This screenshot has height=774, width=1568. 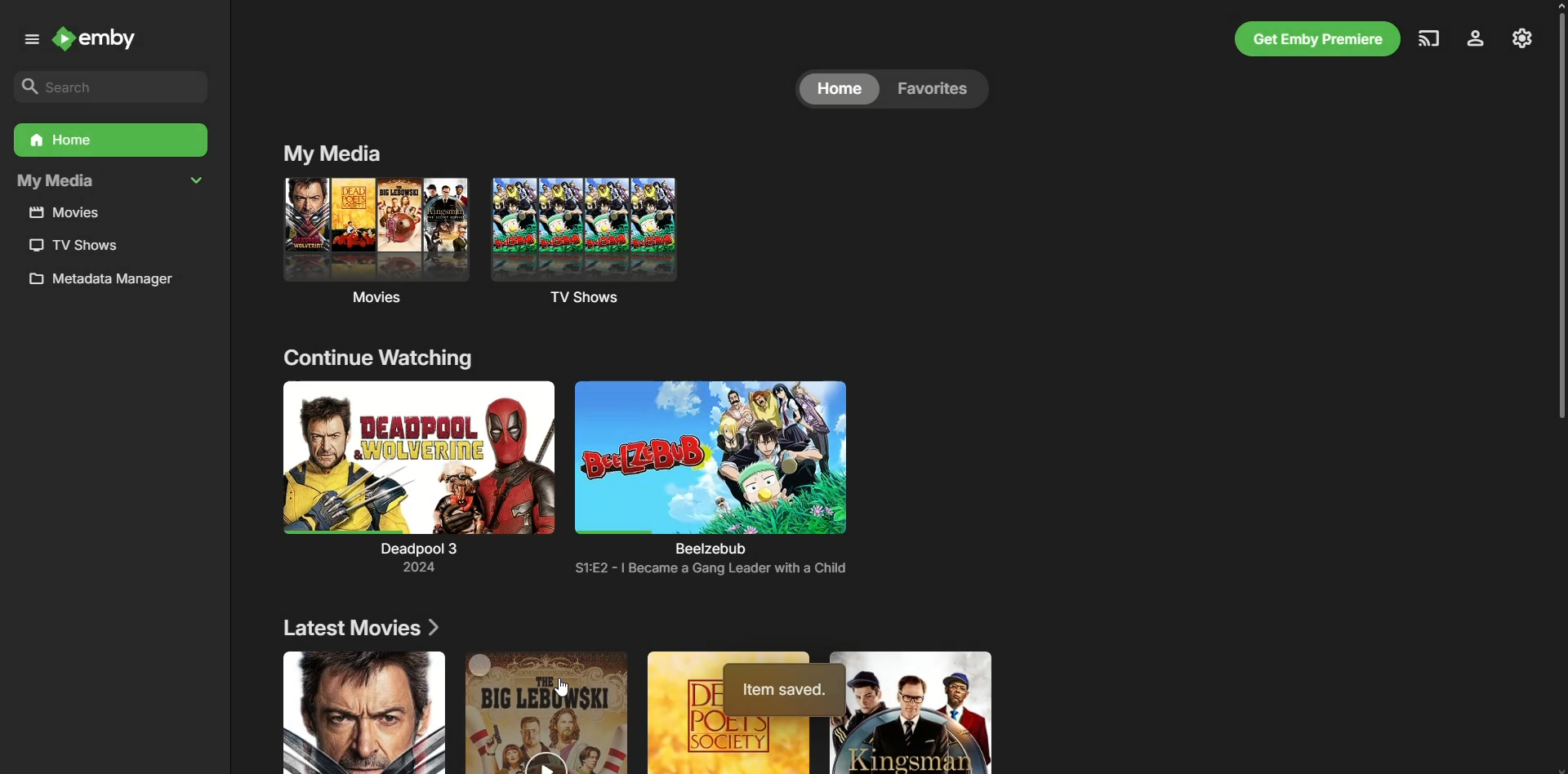 What do you see at coordinates (1314, 39) in the screenshot?
I see `Get Emby Premiere` at bounding box center [1314, 39].